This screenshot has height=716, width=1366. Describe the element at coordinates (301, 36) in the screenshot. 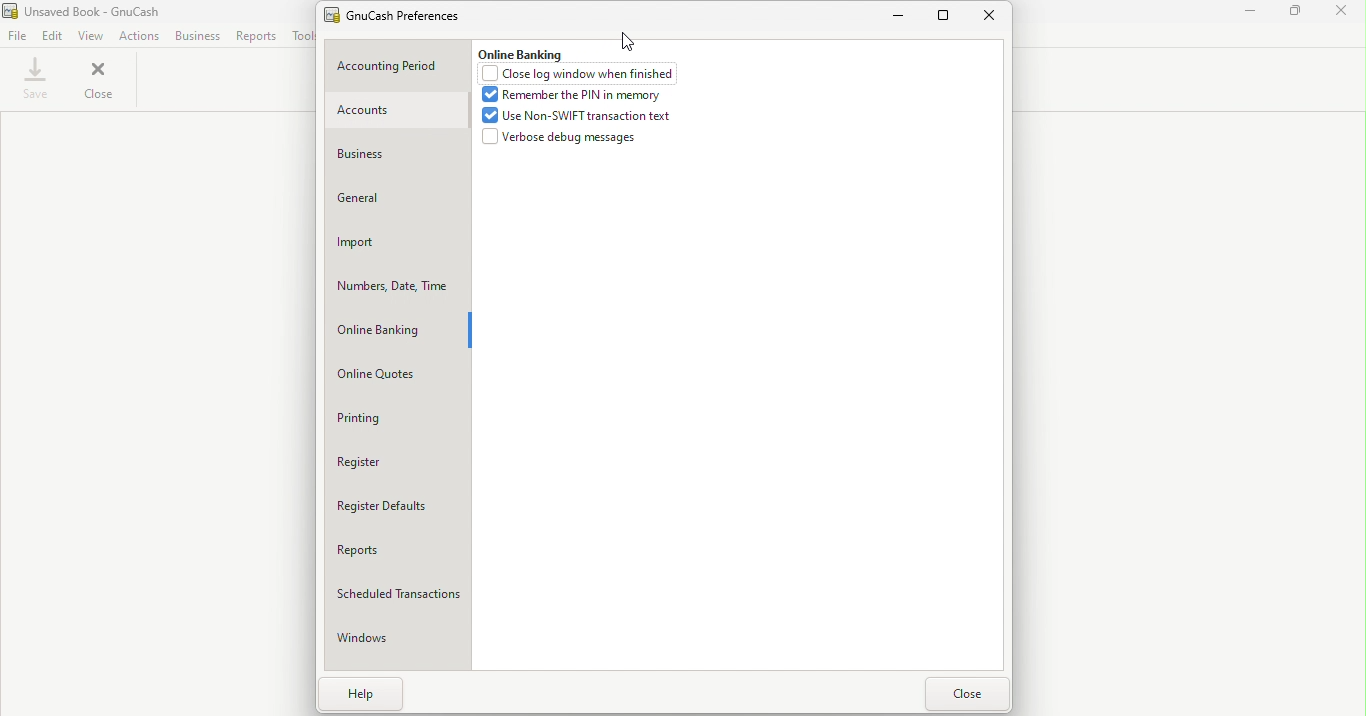

I see `Tools` at that location.